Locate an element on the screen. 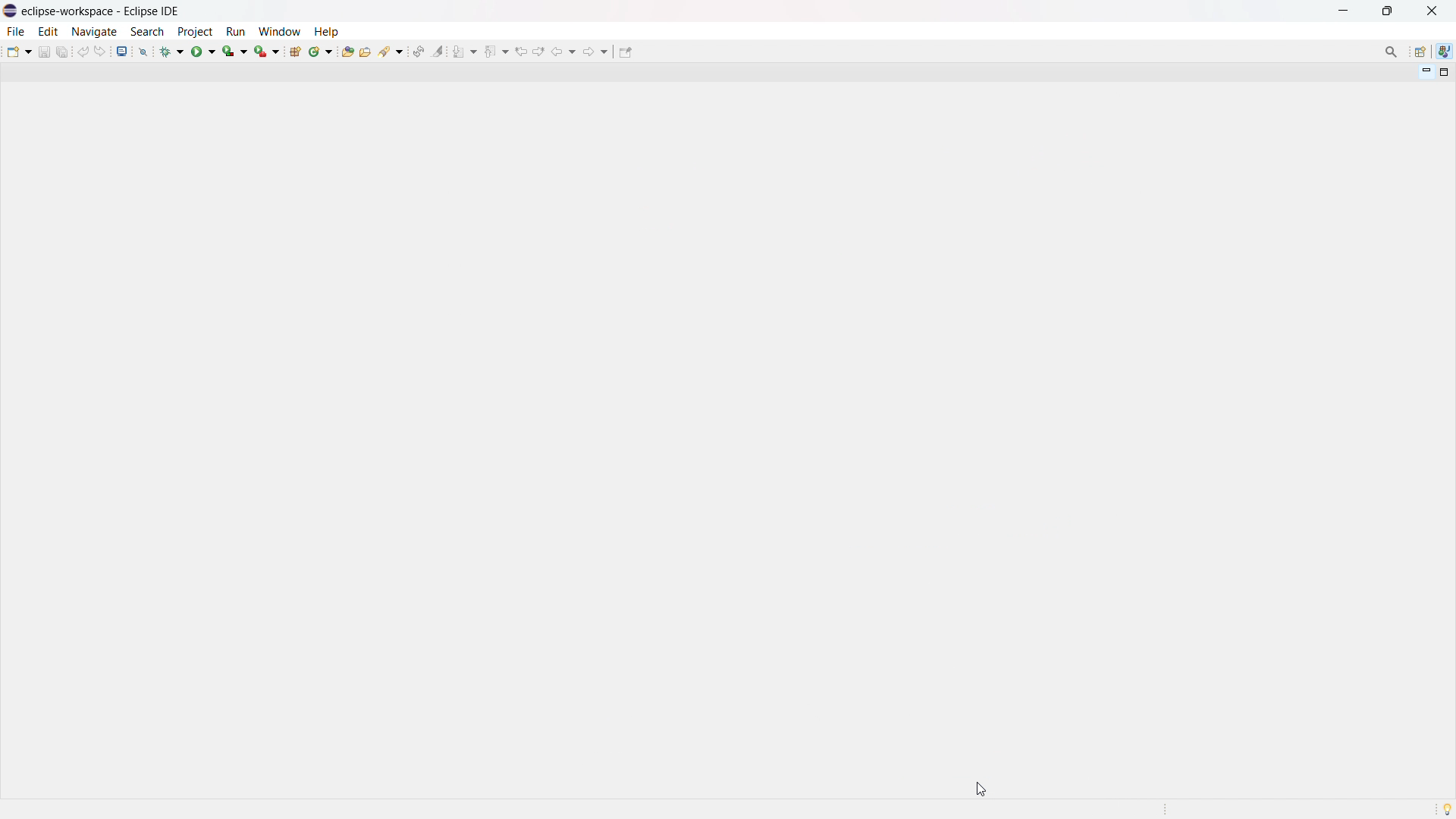 Image resolution: width=1456 pixels, height=819 pixels. skip all breakpoints is located at coordinates (143, 51).